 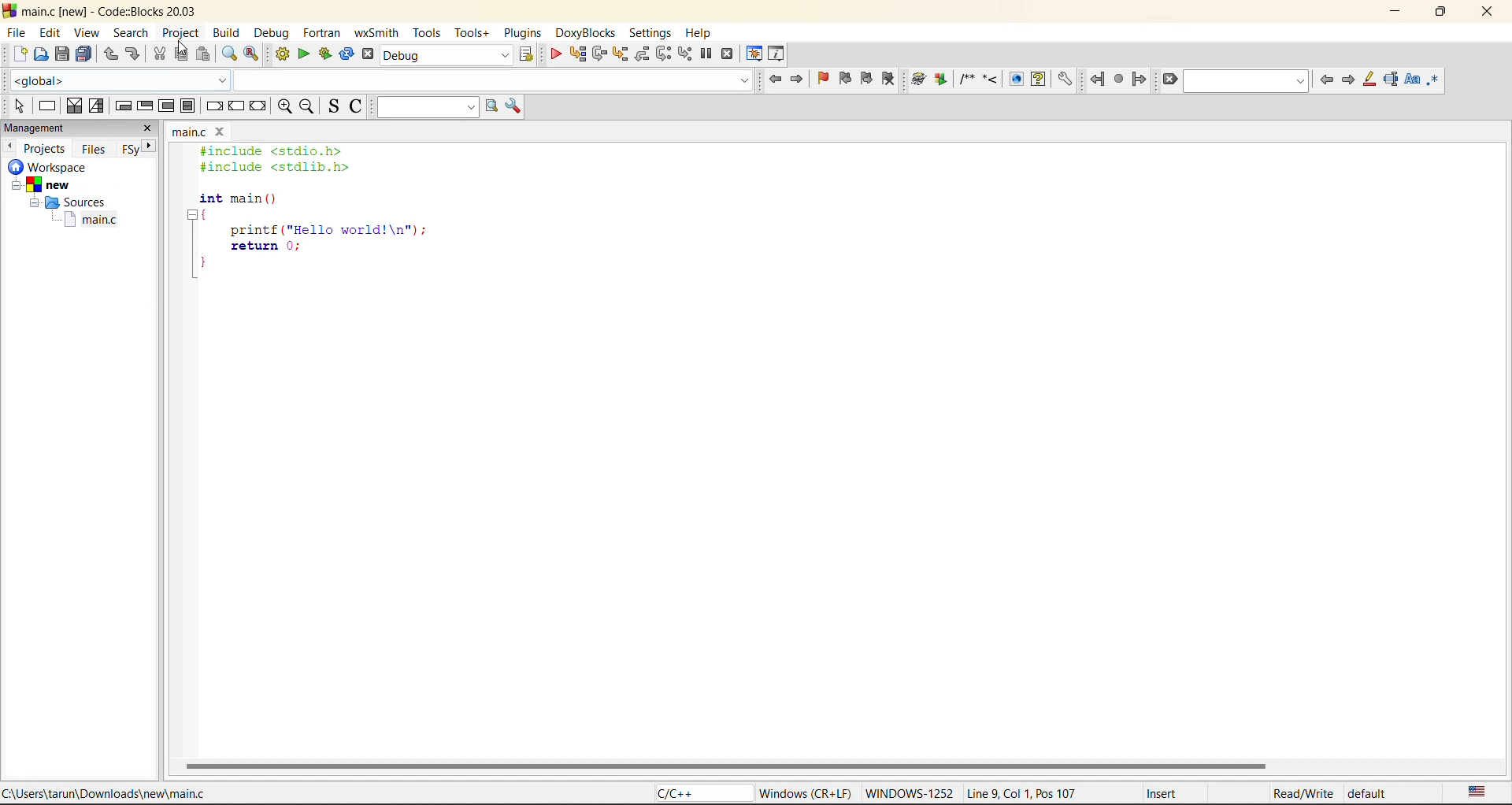 I want to click on Code Completion Search, so click(x=493, y=80).